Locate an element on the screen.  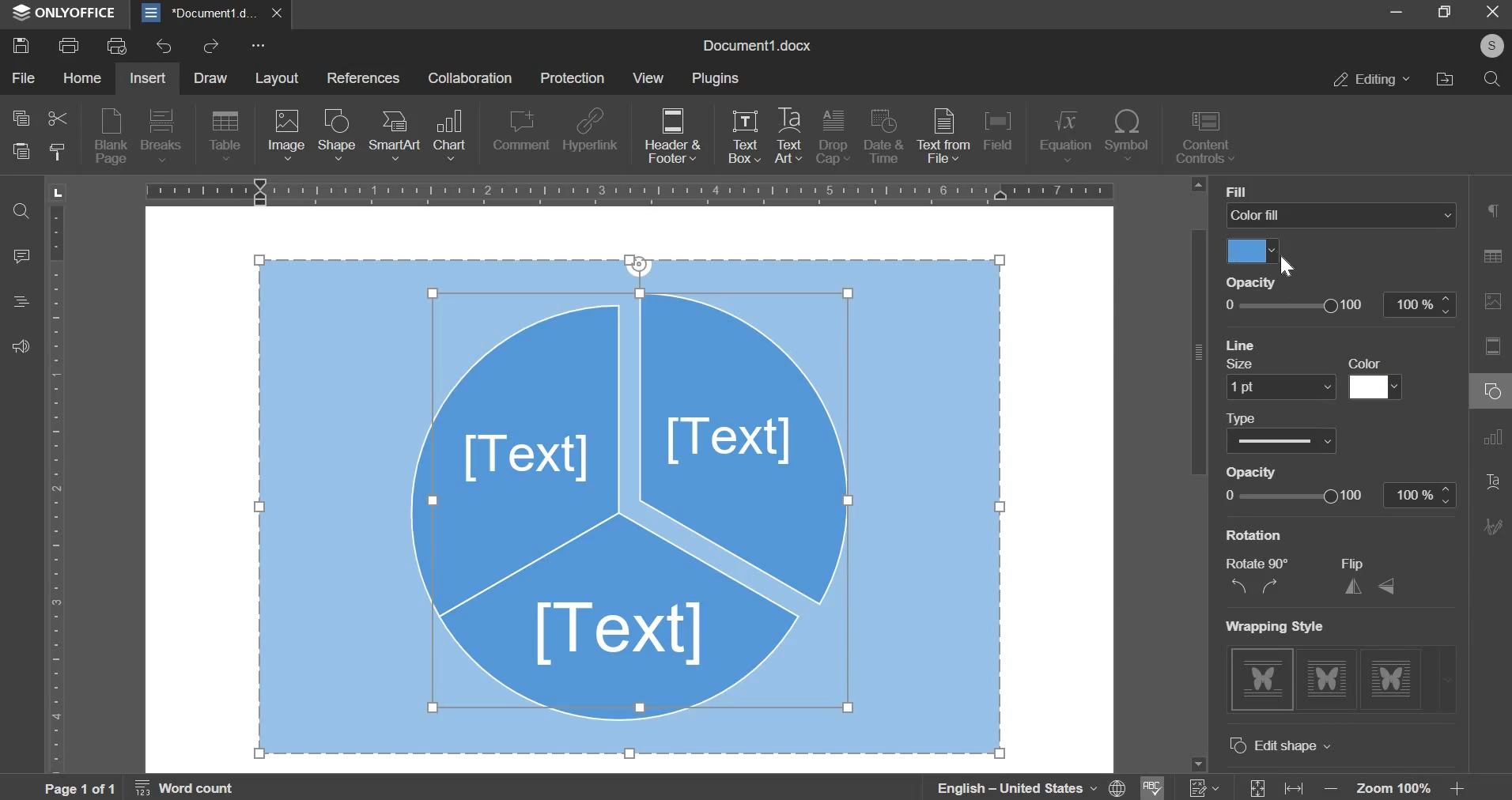
protection is located at coordinates (571, 77).